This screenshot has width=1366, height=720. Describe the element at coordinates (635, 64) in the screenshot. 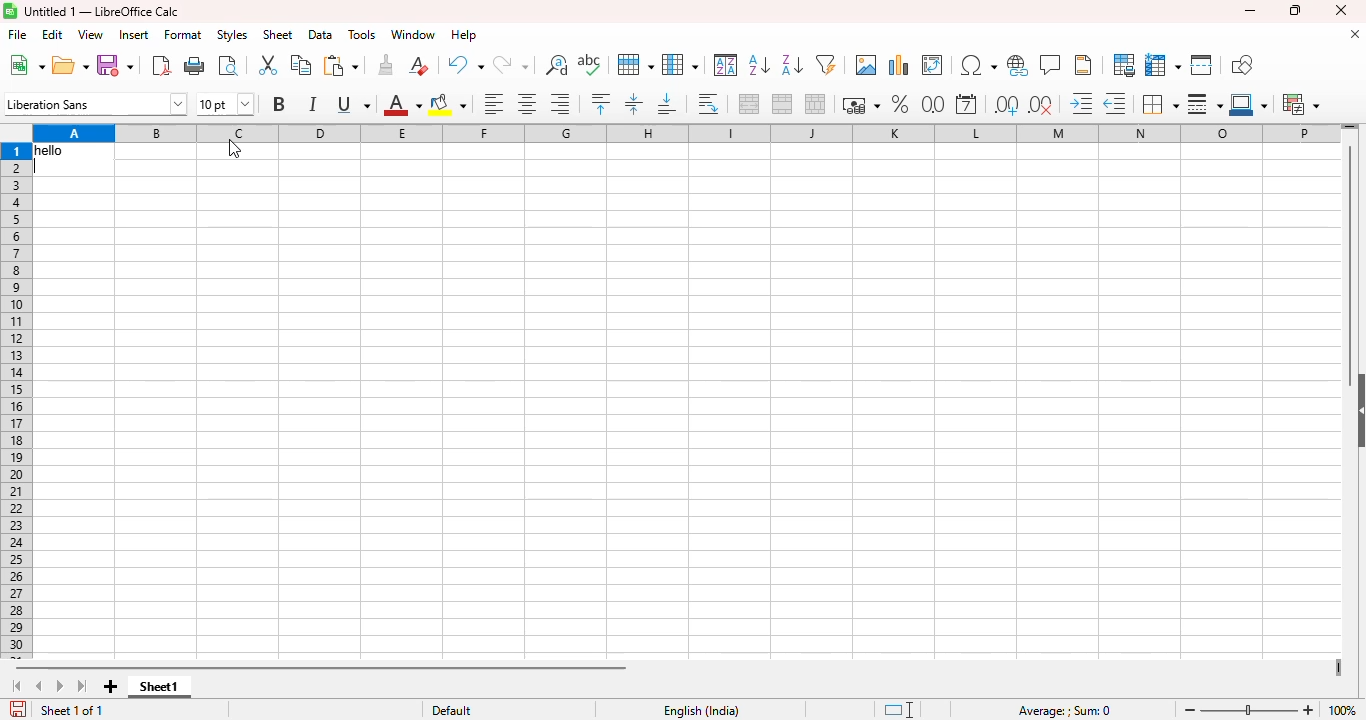

I see `row` at that location.